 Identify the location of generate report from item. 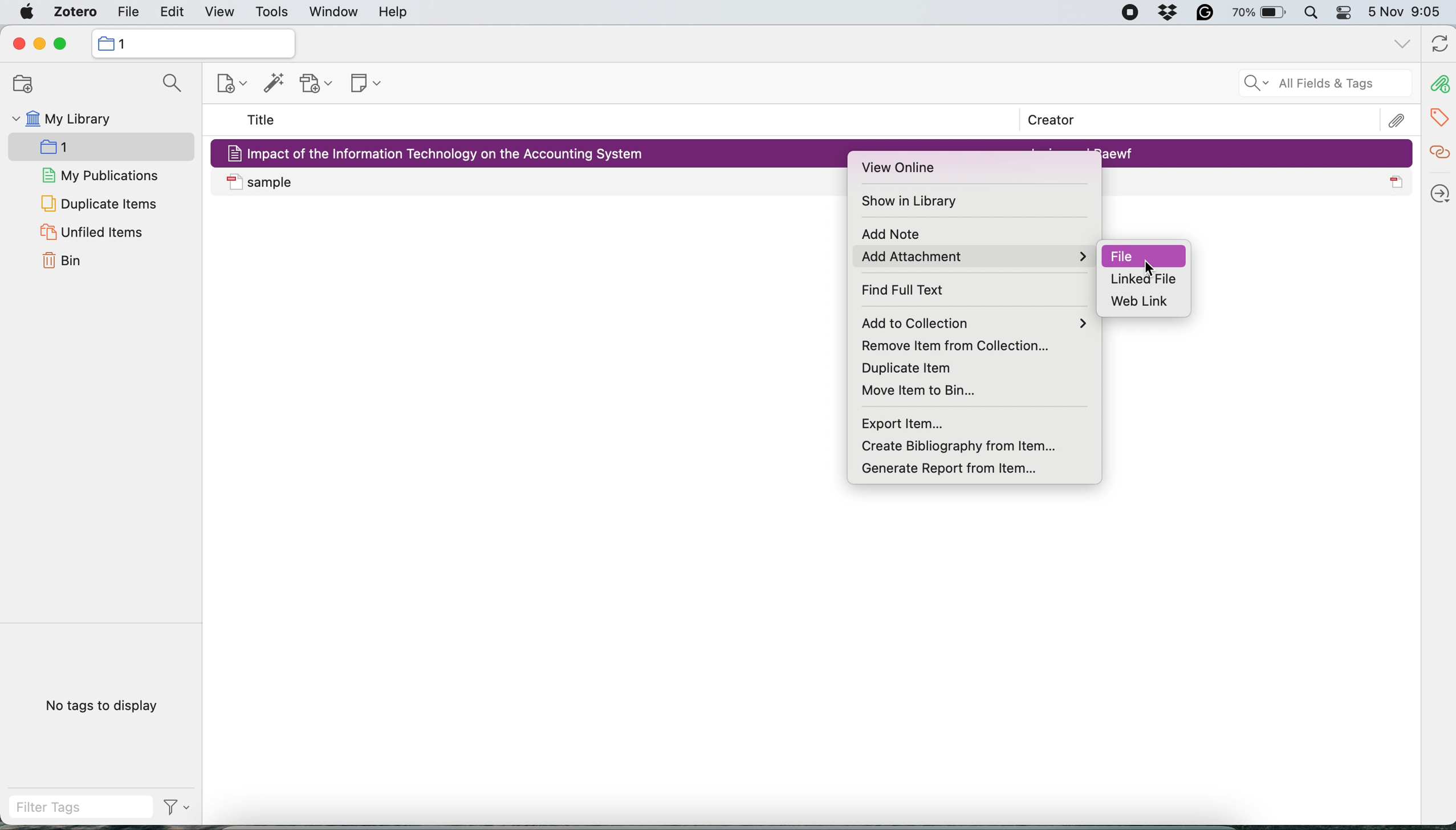
(947, 465).